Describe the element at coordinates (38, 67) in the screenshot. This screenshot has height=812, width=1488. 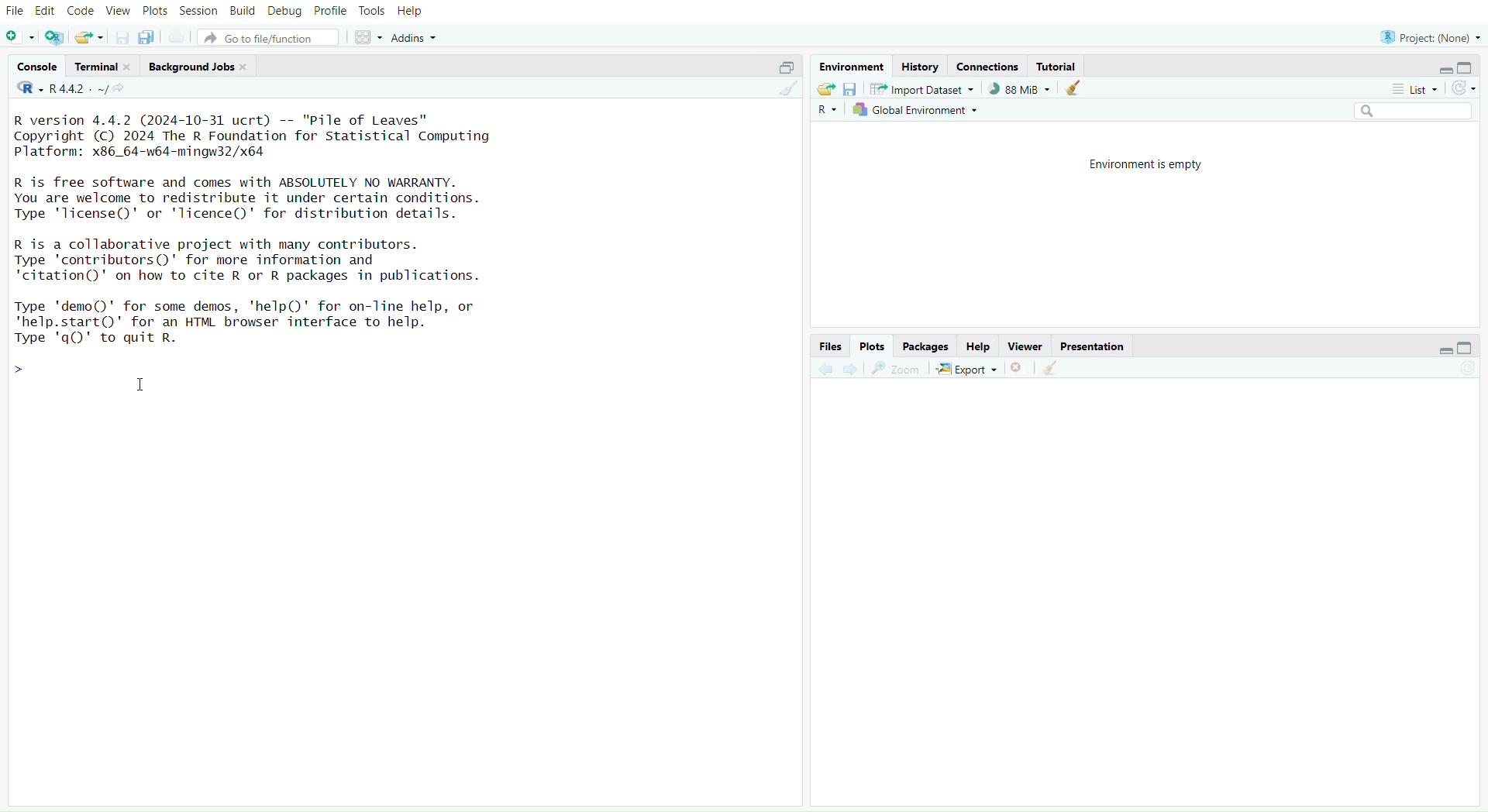
I see `console` at that location.